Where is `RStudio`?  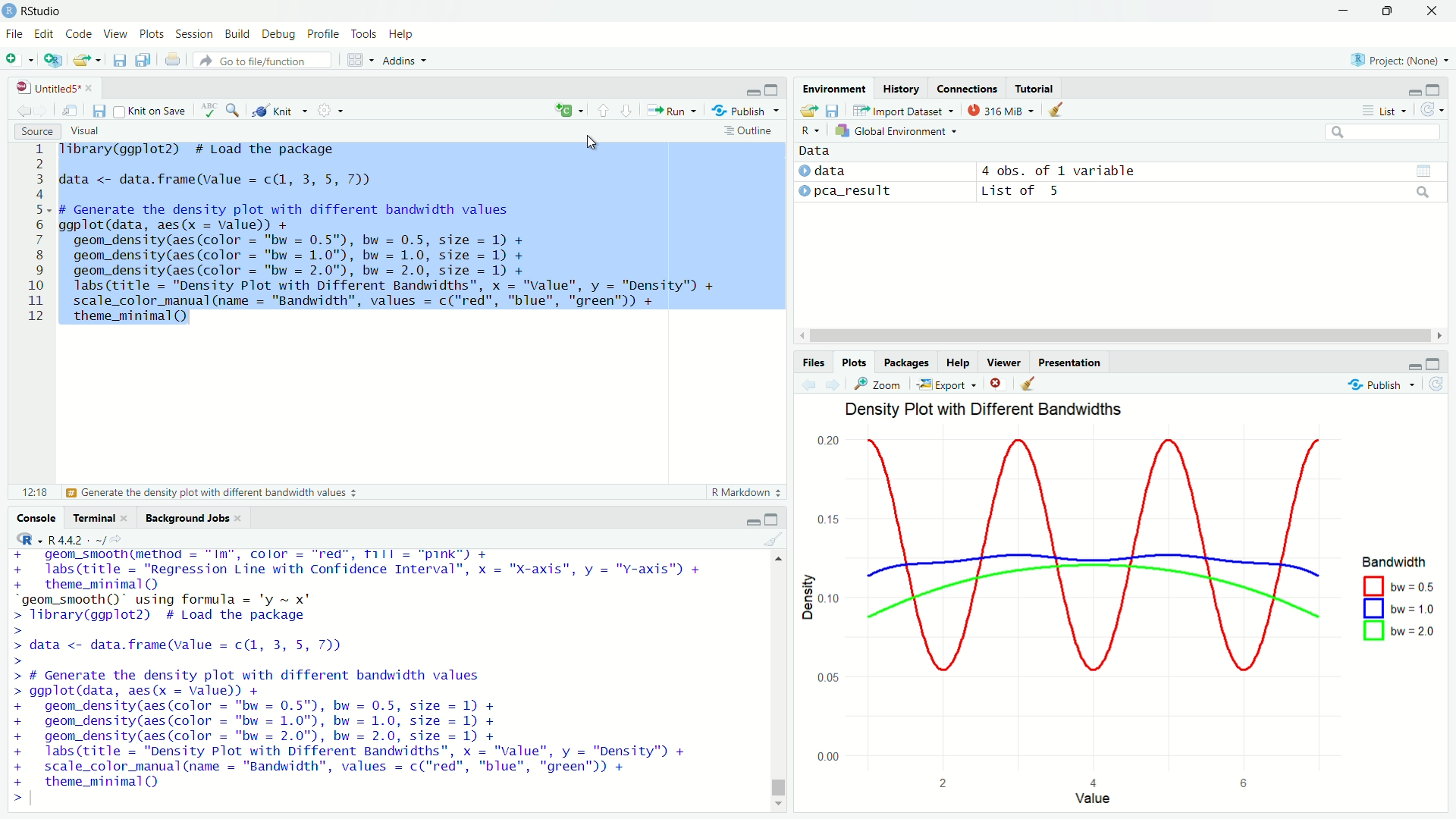 RStudio is located at coordinates (32, 11).